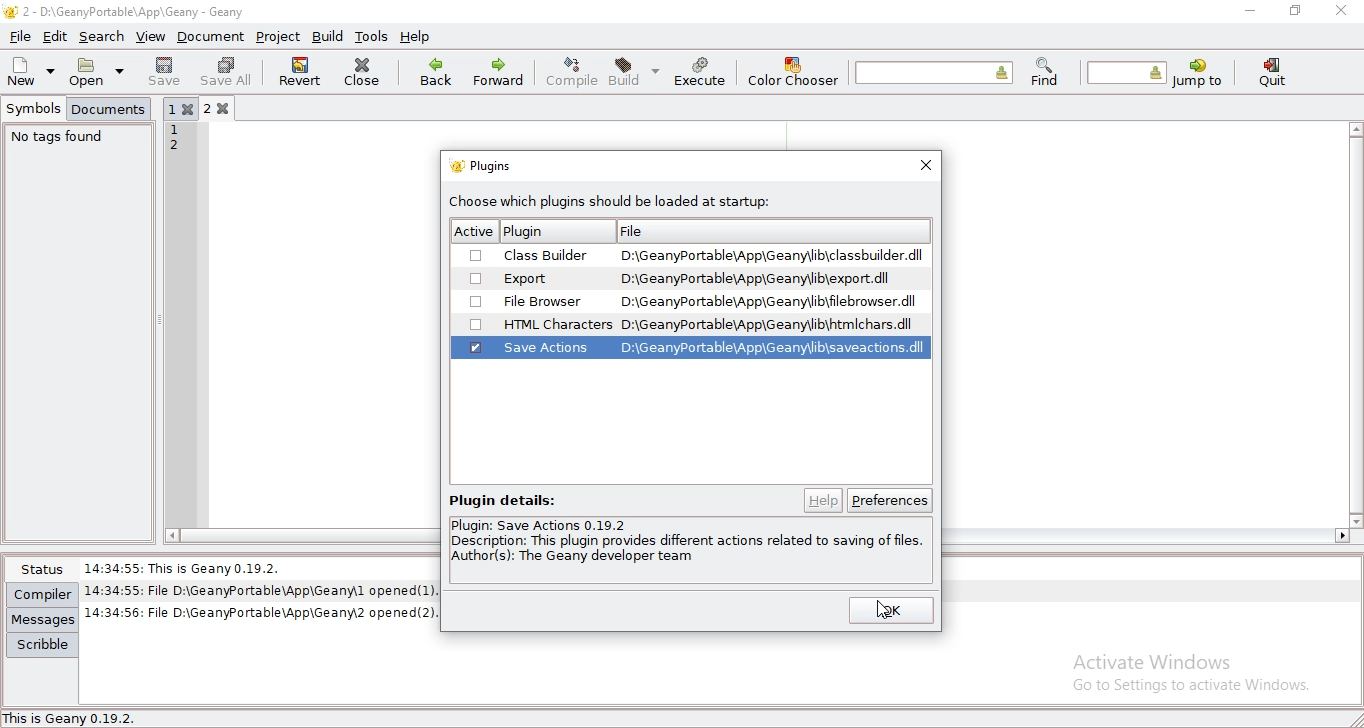 The image size is (1364, 728). Describe the element at coordinates (41, 594) in the screenshot. I see `compiler` at that location.